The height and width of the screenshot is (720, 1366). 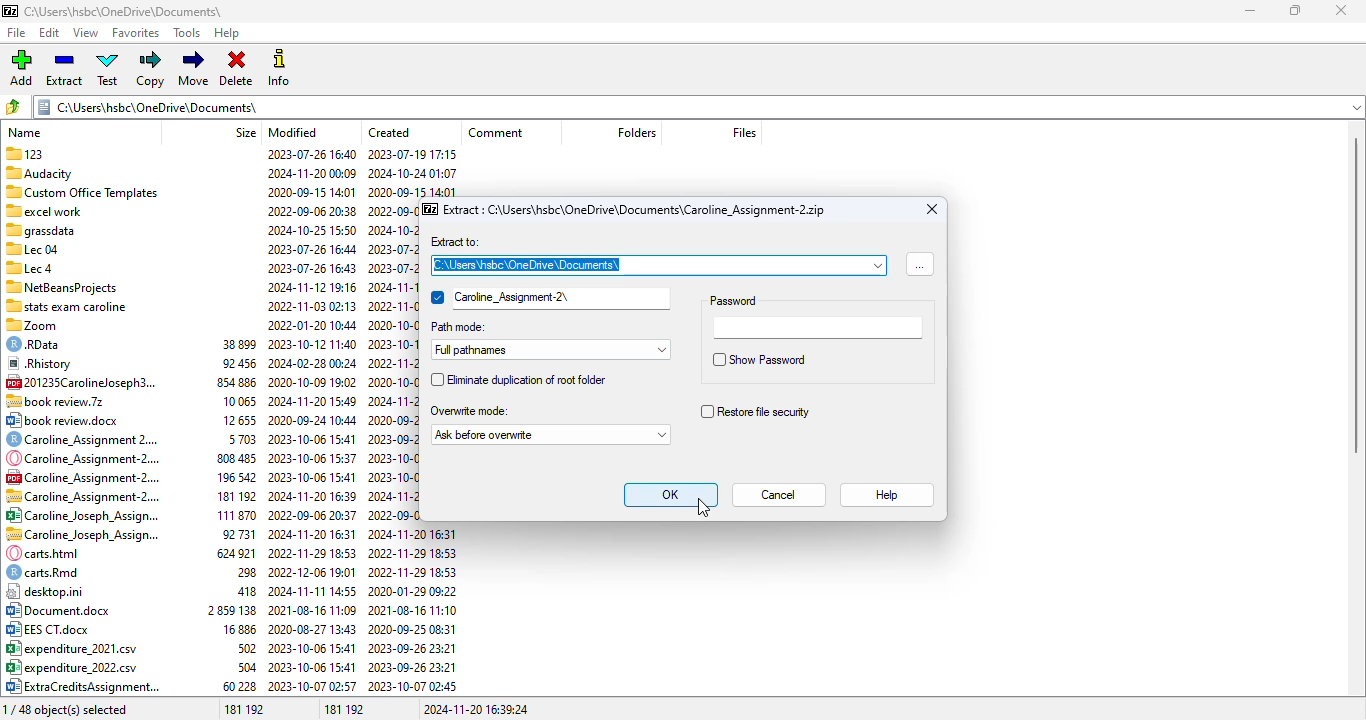 What do you see at coordinates (635, 210) in the screenshot?
I see `.zip file` at bounding box center [635, 210].